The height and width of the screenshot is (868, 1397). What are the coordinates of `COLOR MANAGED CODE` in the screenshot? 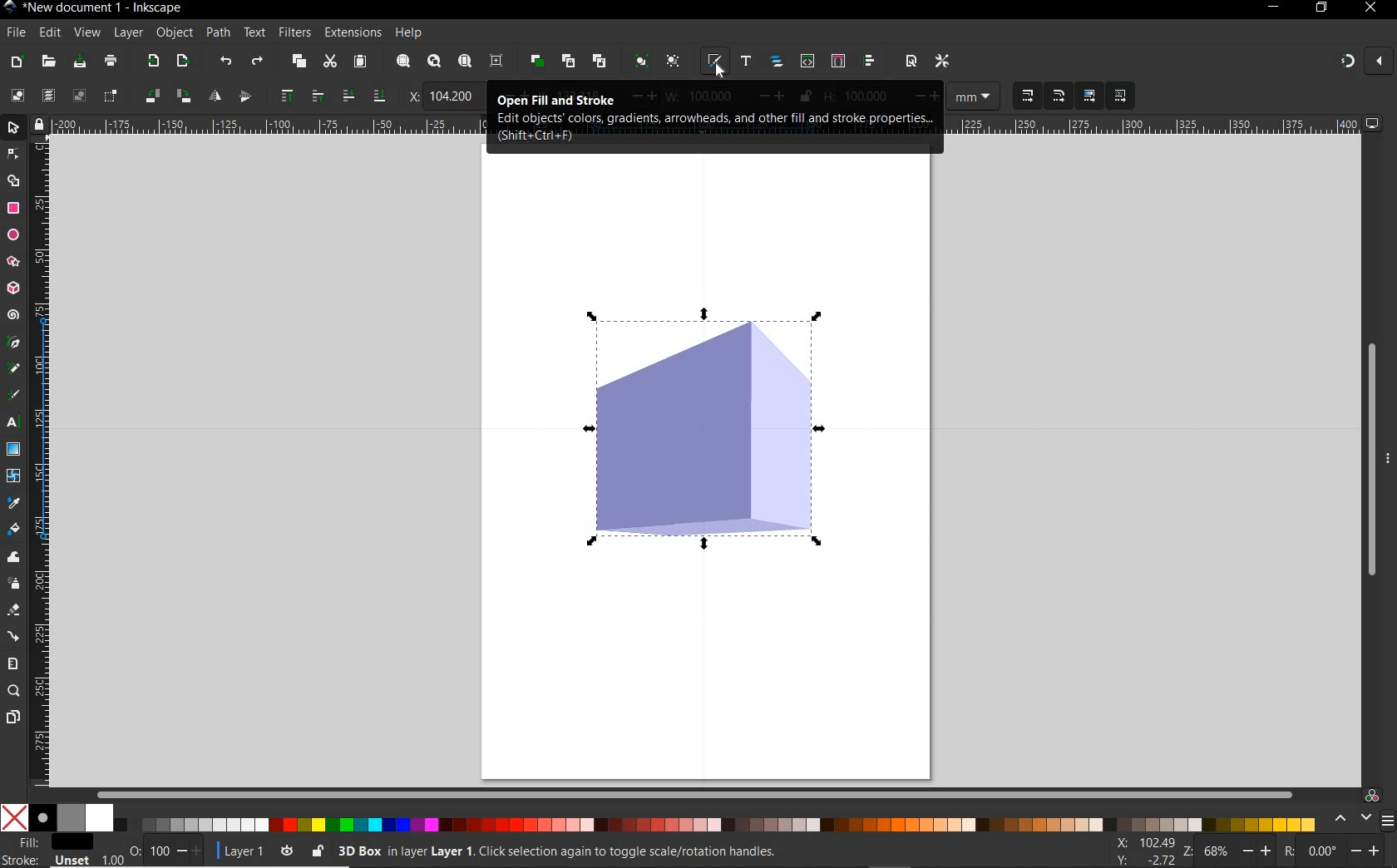 It's located at (1372, 794).